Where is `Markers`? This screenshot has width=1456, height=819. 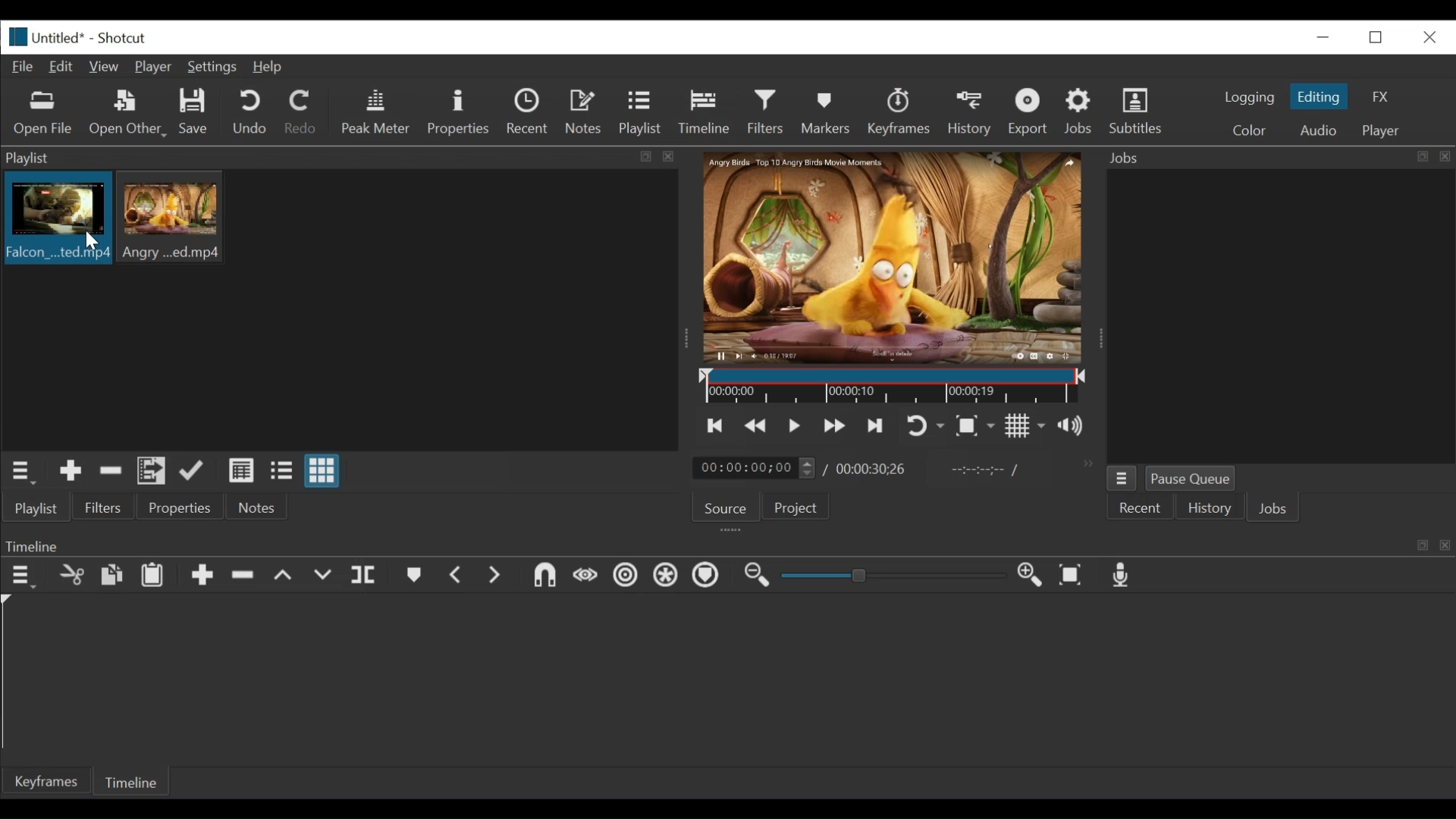 Markers is located at coordinates (829, 111).